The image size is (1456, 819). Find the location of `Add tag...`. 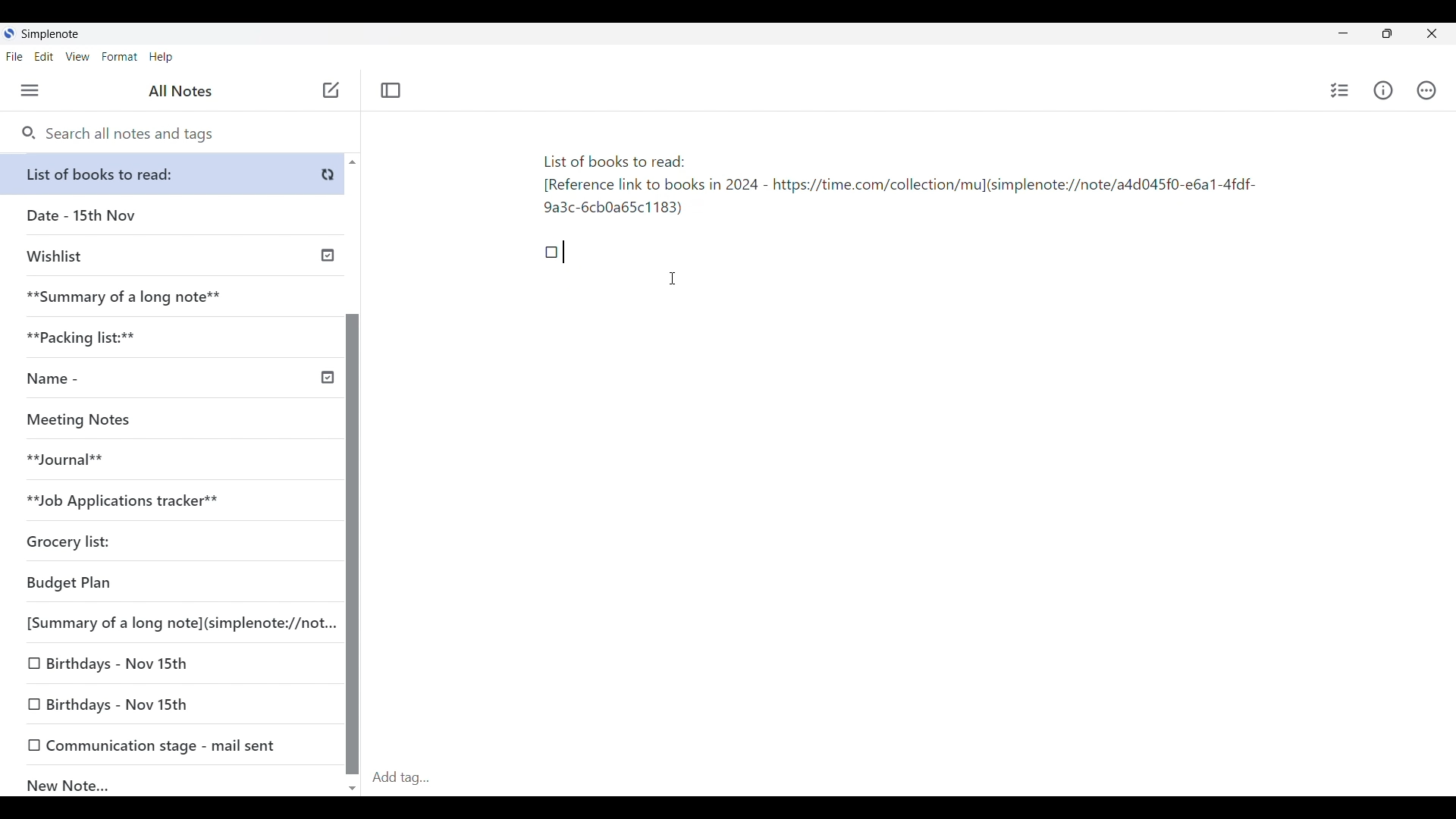

Add tag... is located at coordinates (410, 777).